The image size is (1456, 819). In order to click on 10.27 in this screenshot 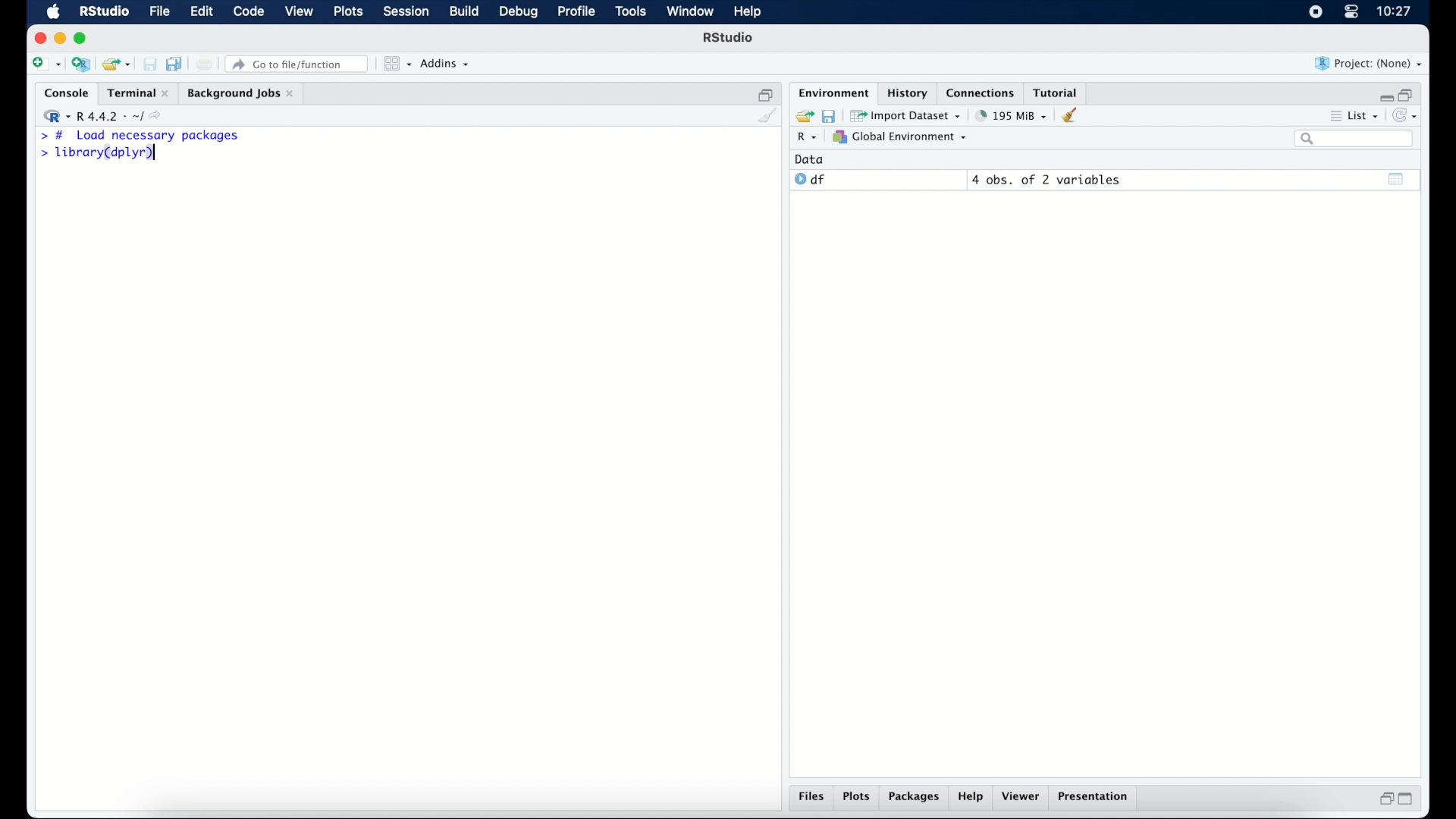, I will do `click(1394, 11)`.